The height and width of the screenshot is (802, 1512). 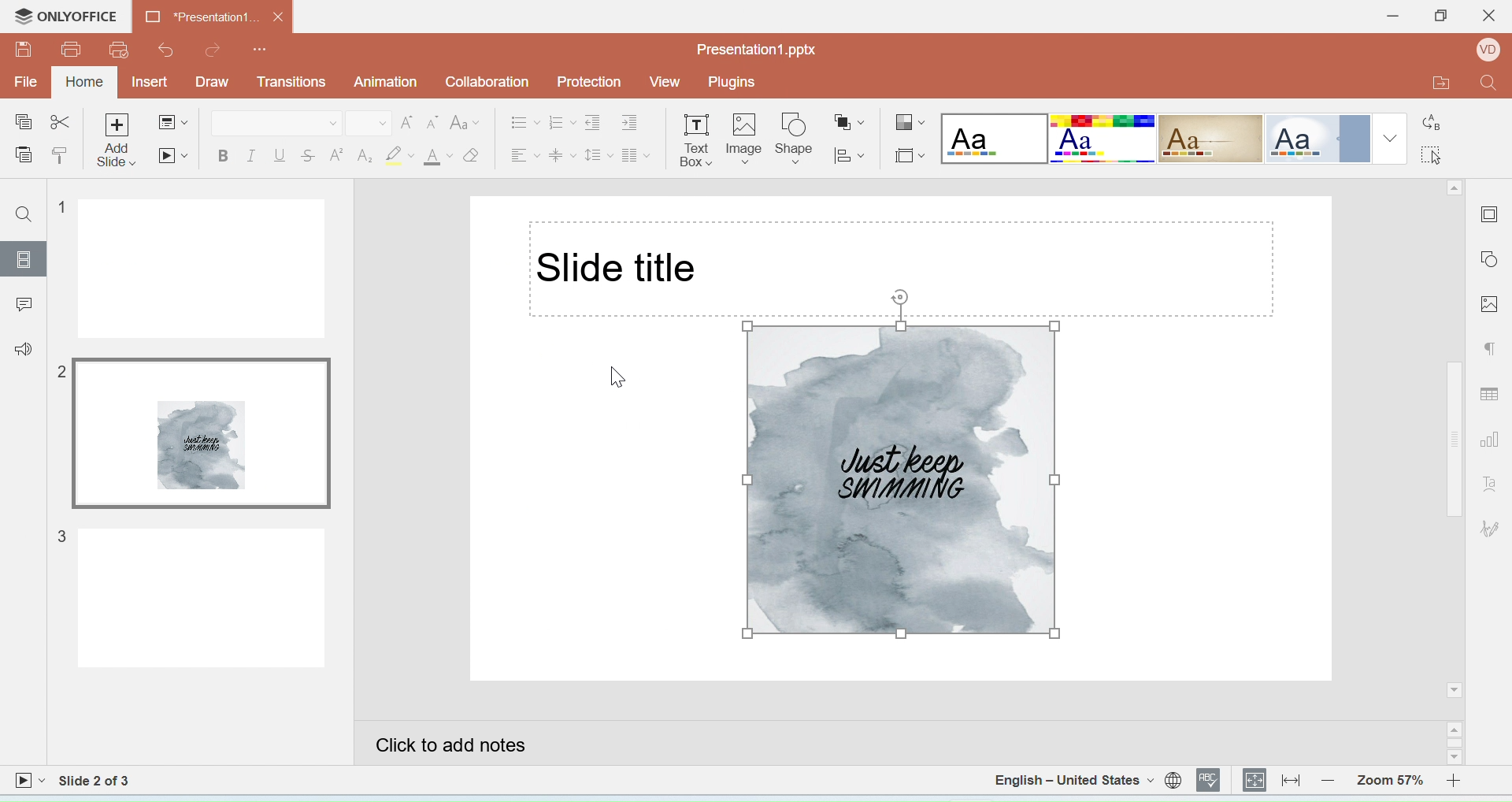 I want to click on Change color theme, so click(x=910, y=124).